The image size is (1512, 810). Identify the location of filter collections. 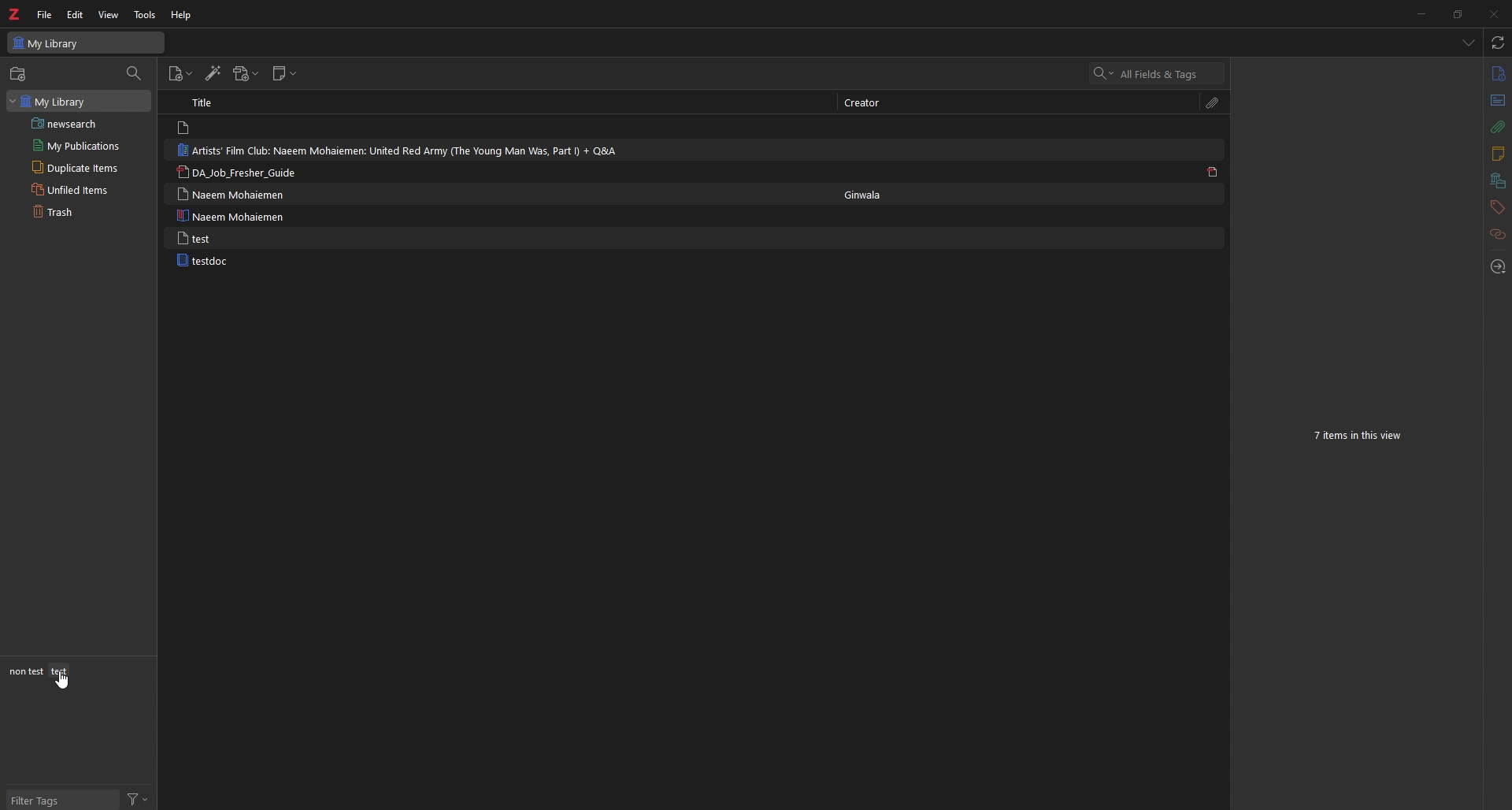
(134, 75).